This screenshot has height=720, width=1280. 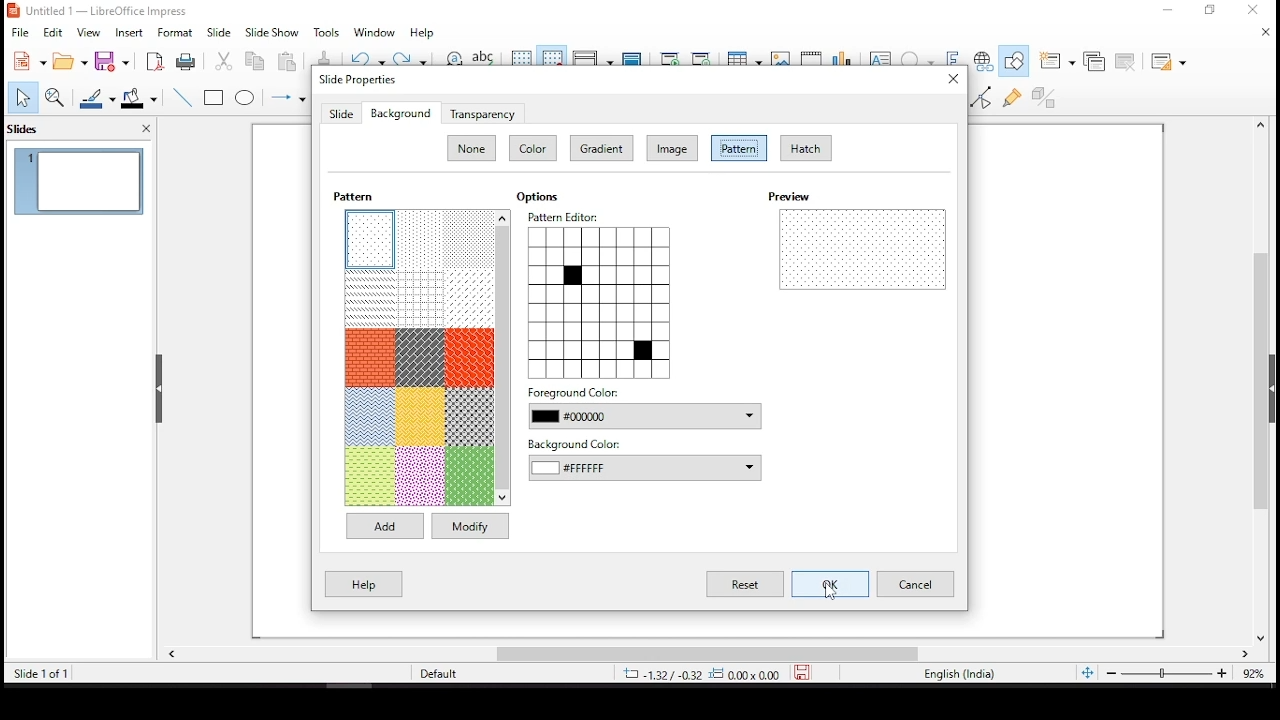 What do you see at coordinates (482, 112) in the screenshot?
I see `transparency` at bounding box center [482, 112].